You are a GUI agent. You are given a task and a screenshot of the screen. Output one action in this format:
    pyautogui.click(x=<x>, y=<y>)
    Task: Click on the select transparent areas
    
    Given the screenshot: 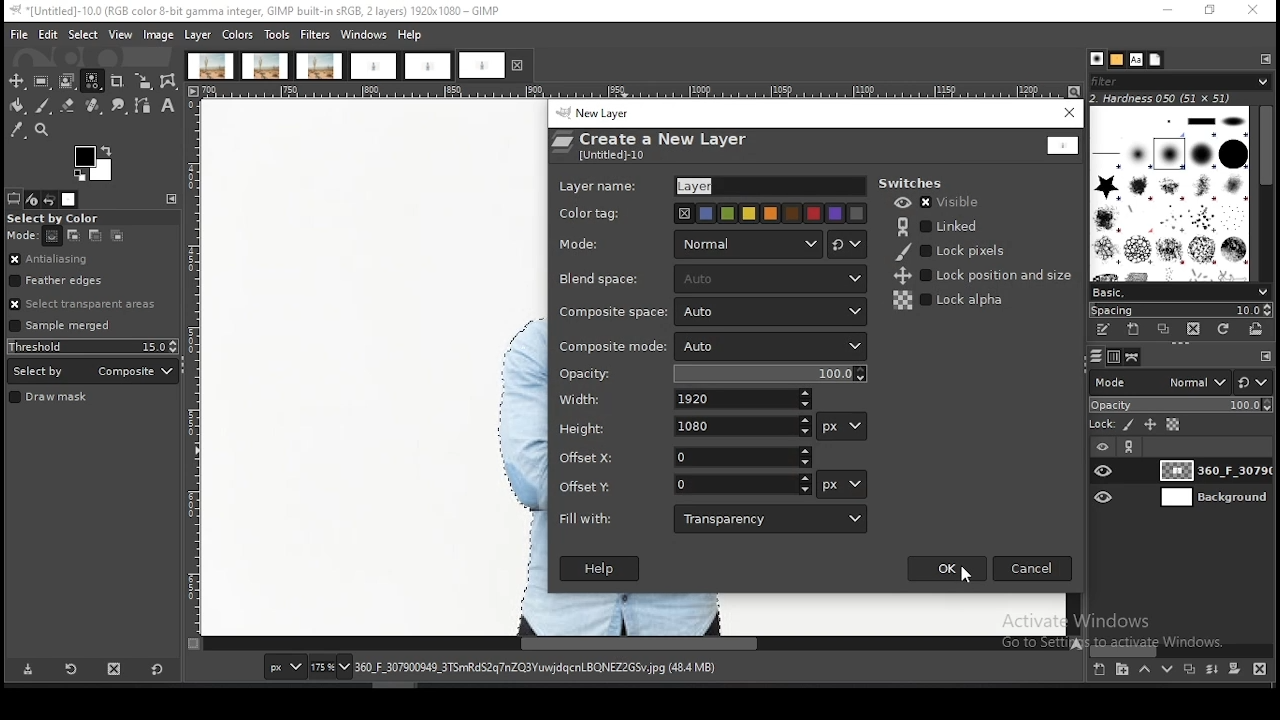 What is the action you would take?
    pyautogui.click(x=87, y=304)
    